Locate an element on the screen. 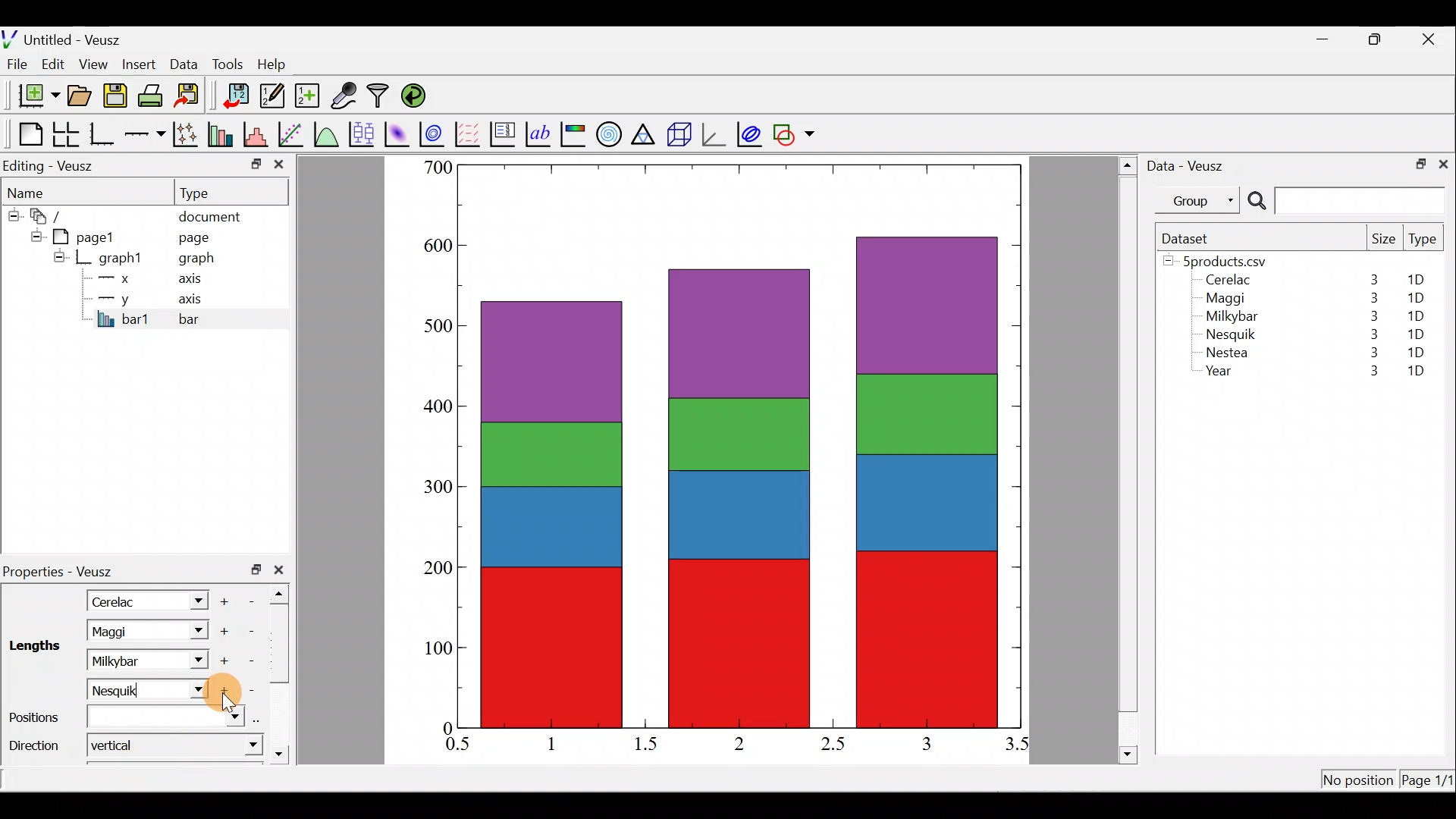  Cerelac is located at coordinates (1225, 281).